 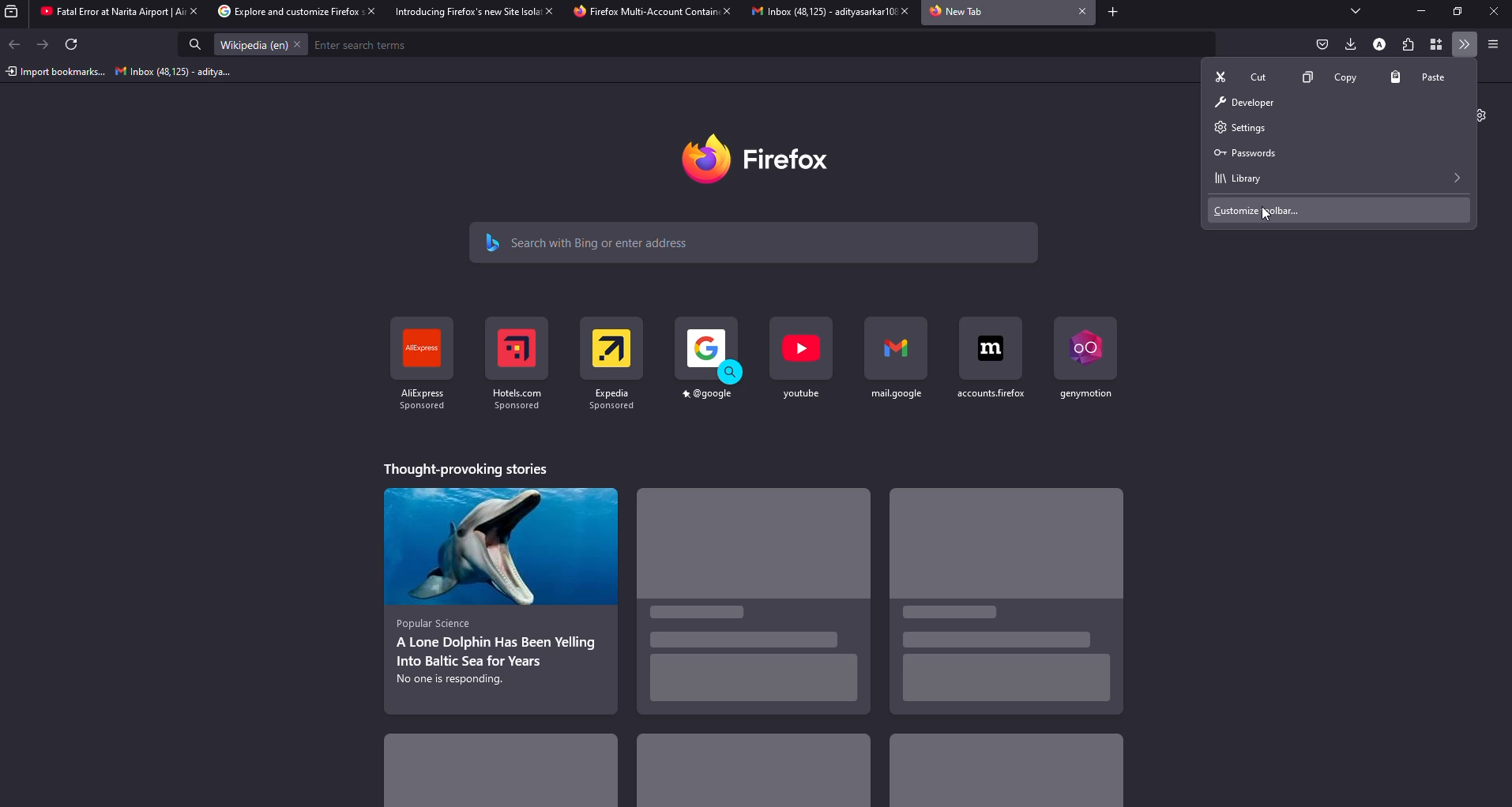 I want to click on expand, so click(x=1461, y=177).